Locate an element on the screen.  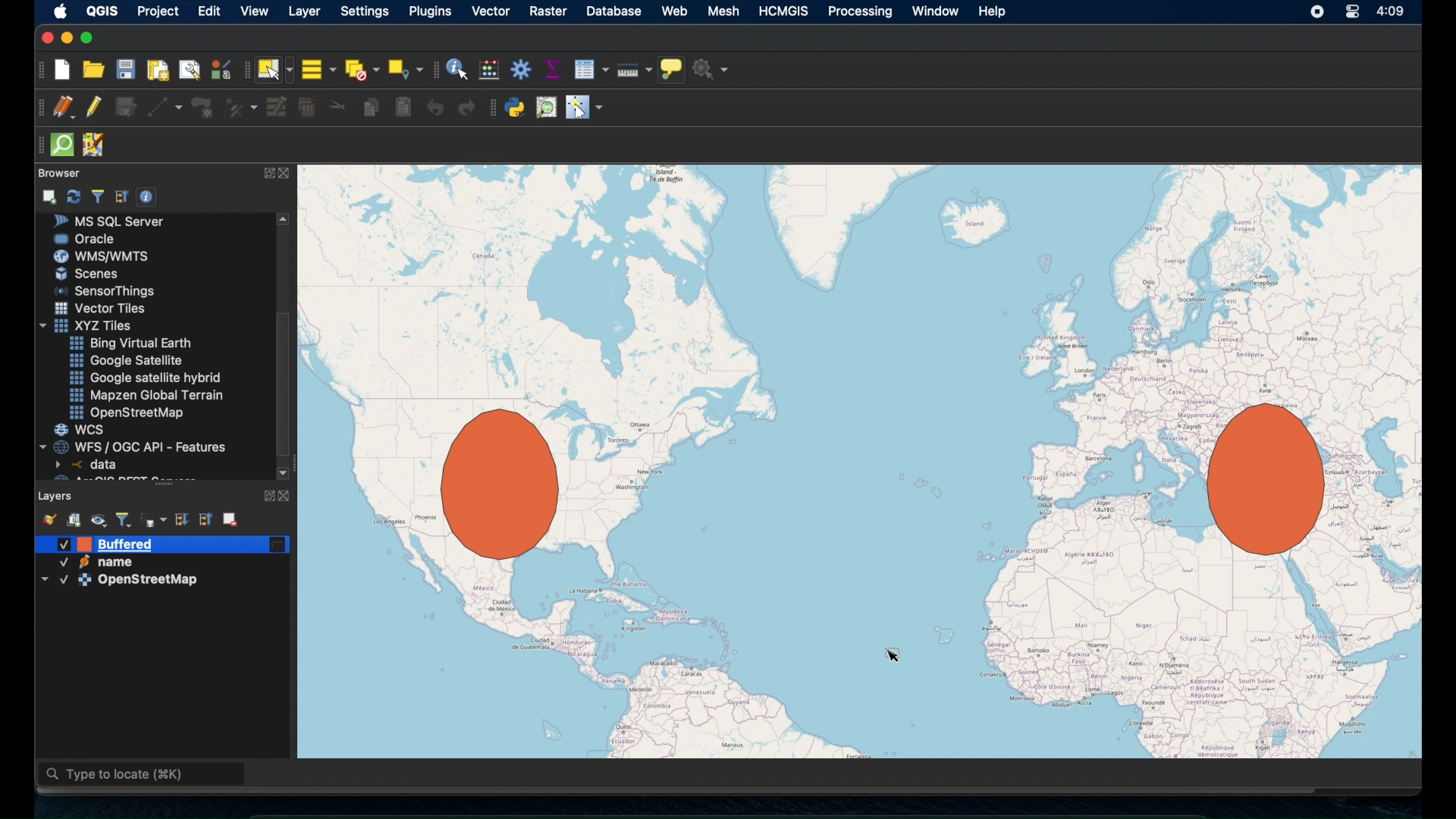
plugins is located at coordinates (430, 11).